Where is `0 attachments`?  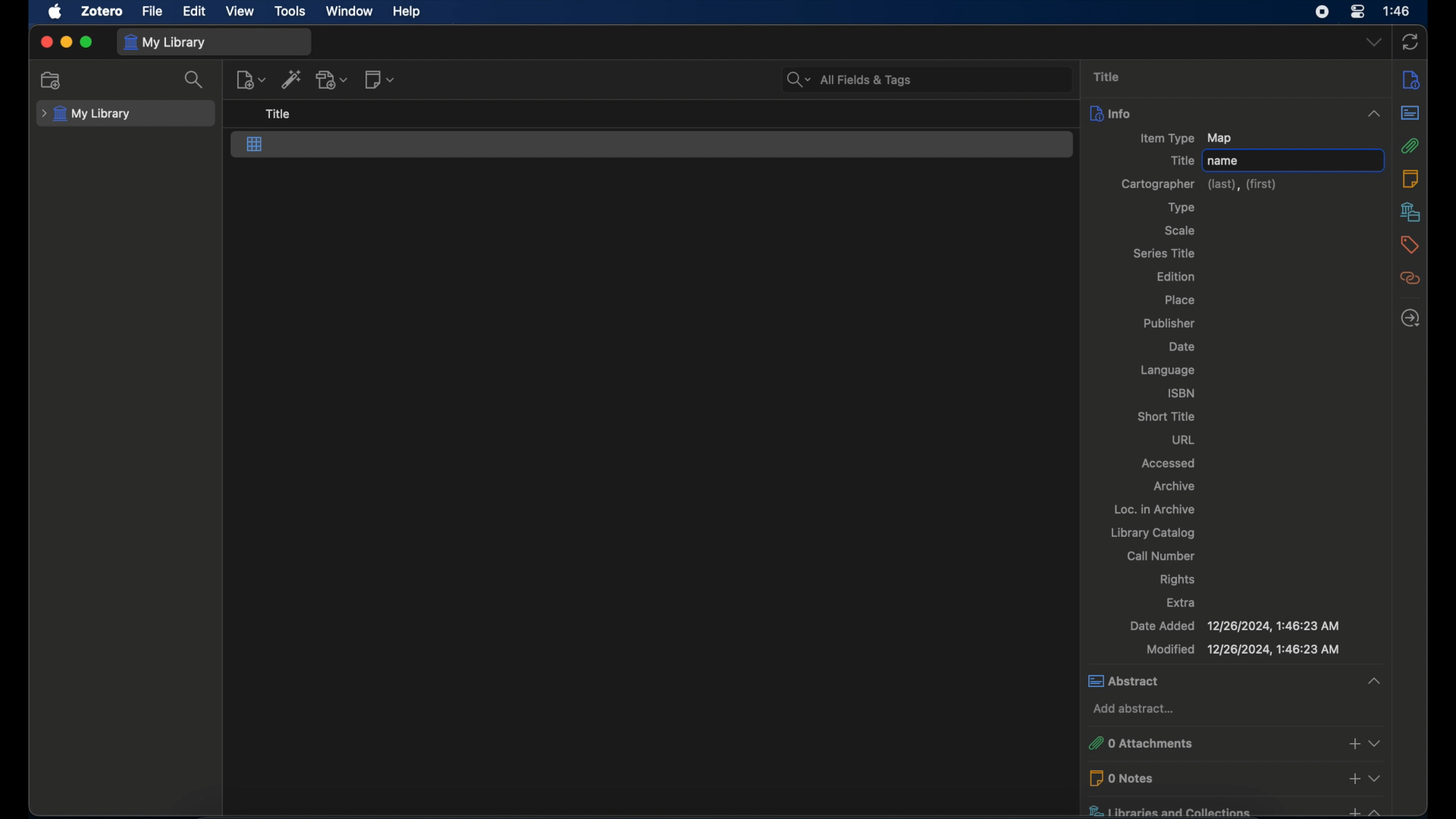 0 attachments is located at coordinates (1203, 741).